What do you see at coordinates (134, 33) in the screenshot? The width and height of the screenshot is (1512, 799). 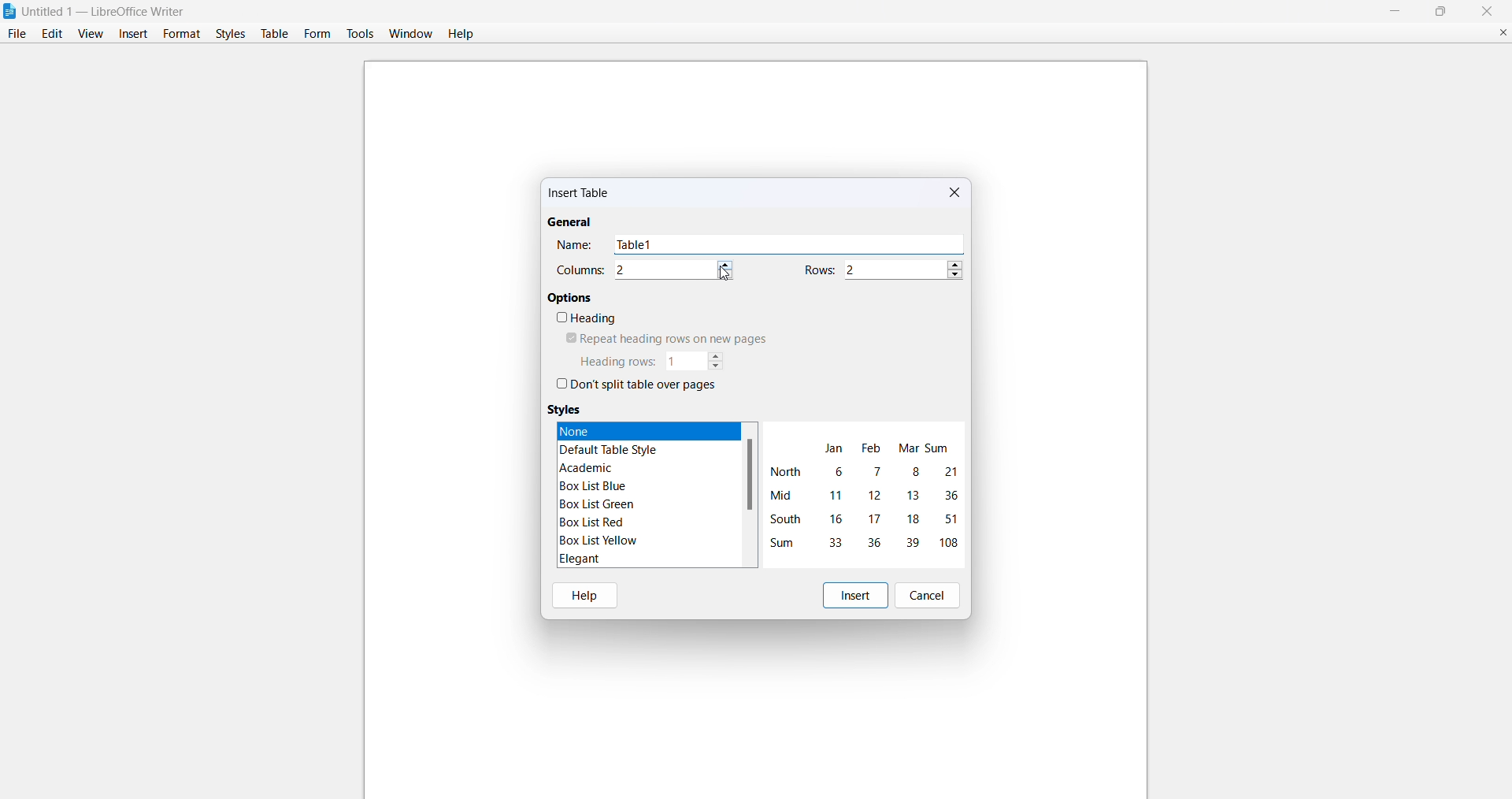 I see `insert` at bounding box center [134, 33].